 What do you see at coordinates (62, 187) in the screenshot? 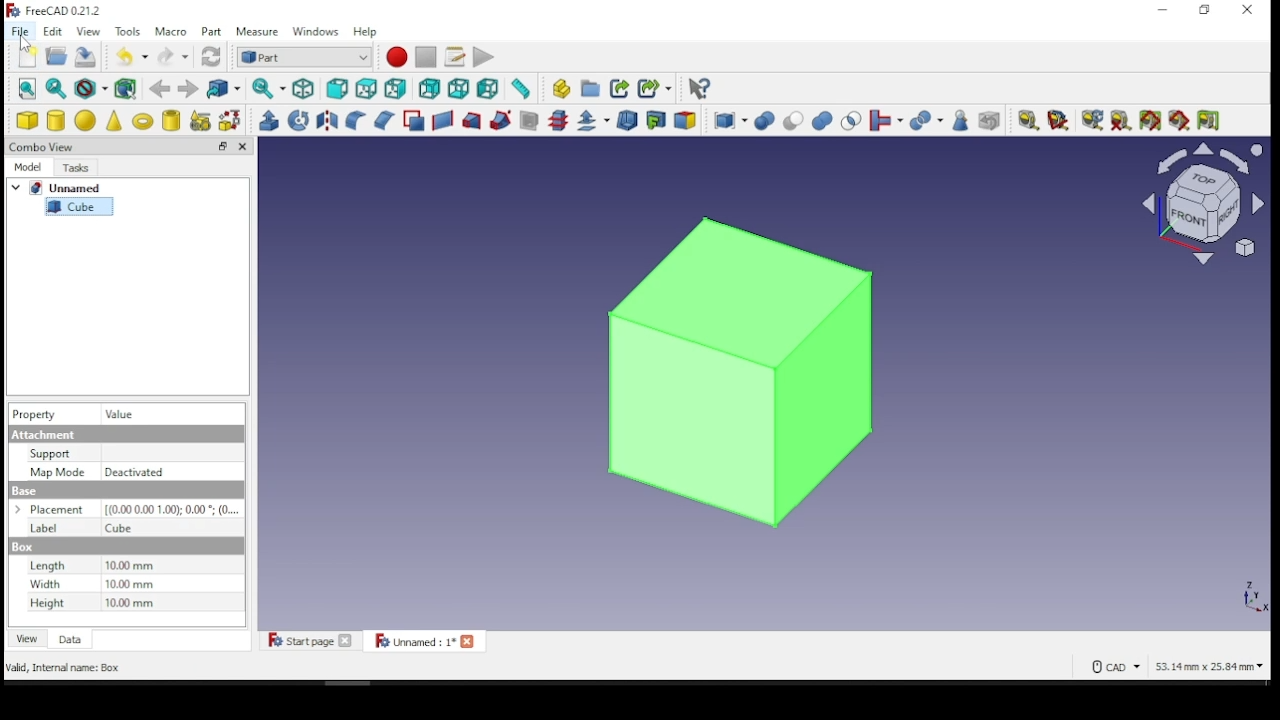
I see `unnamed` at bounding box center [62, 187].